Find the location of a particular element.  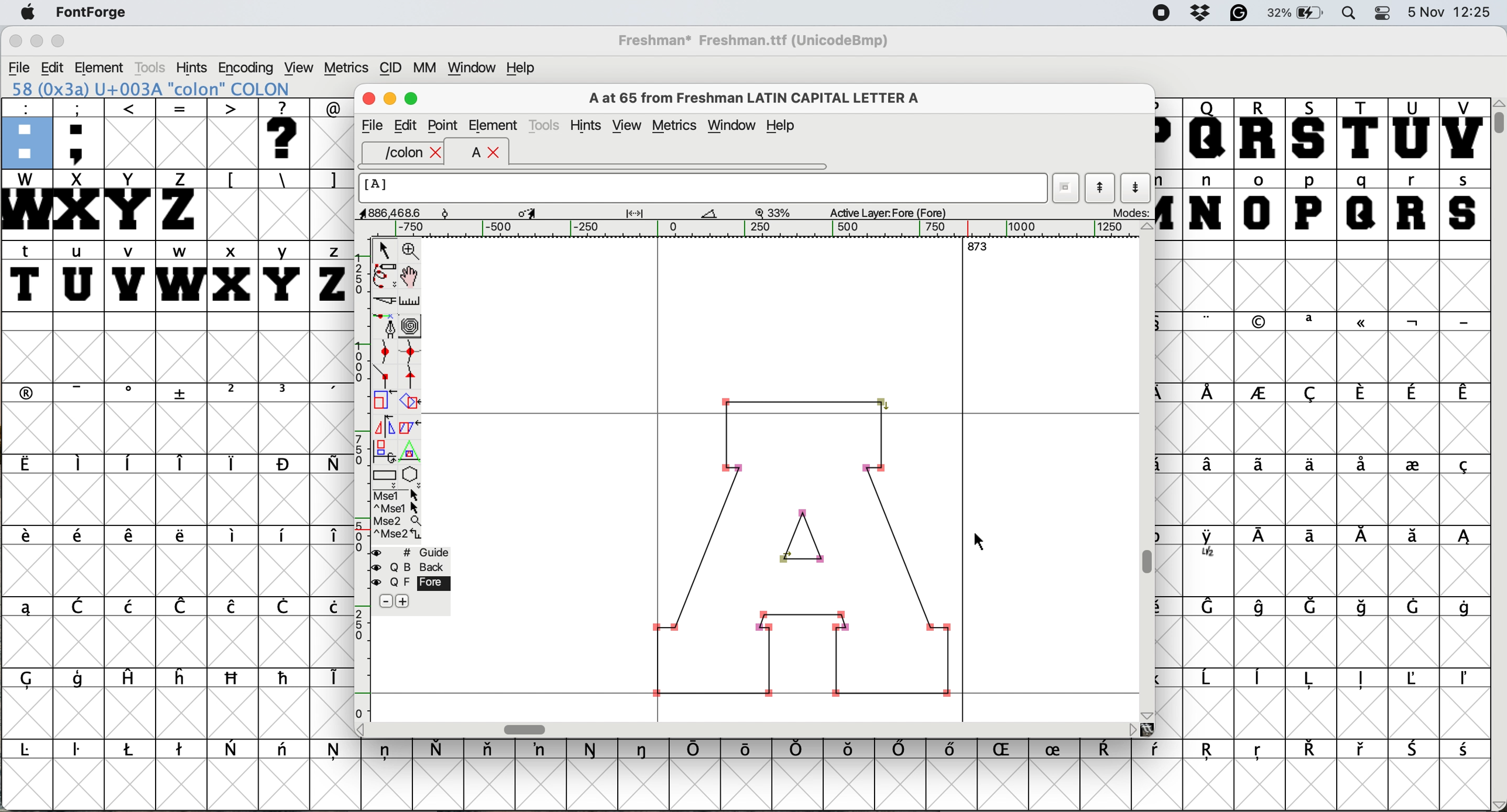

symbol is located at coordinates (1464, 751).